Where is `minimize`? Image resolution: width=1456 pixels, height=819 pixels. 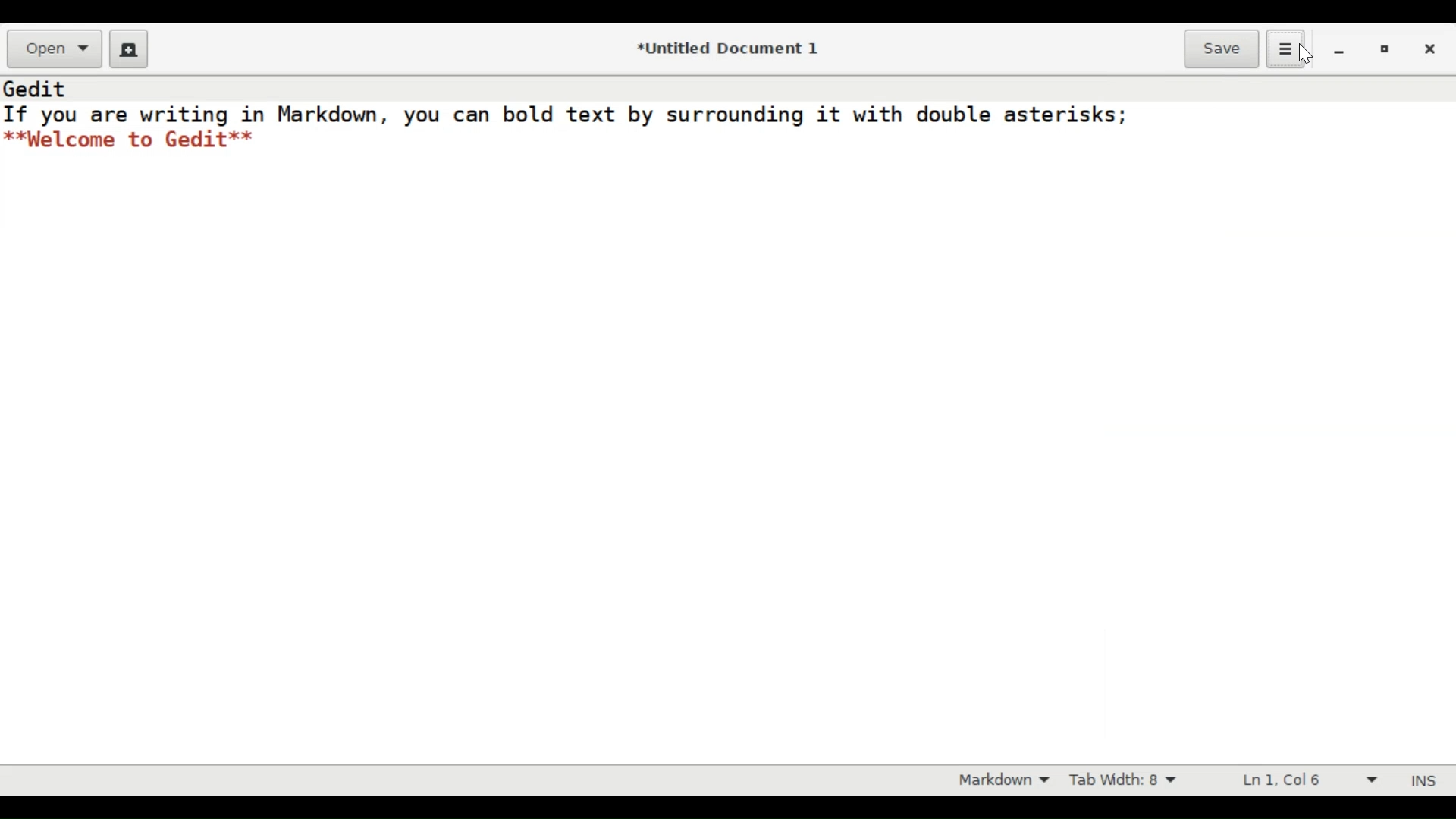 minimize is located at coordinates (1336, 52).